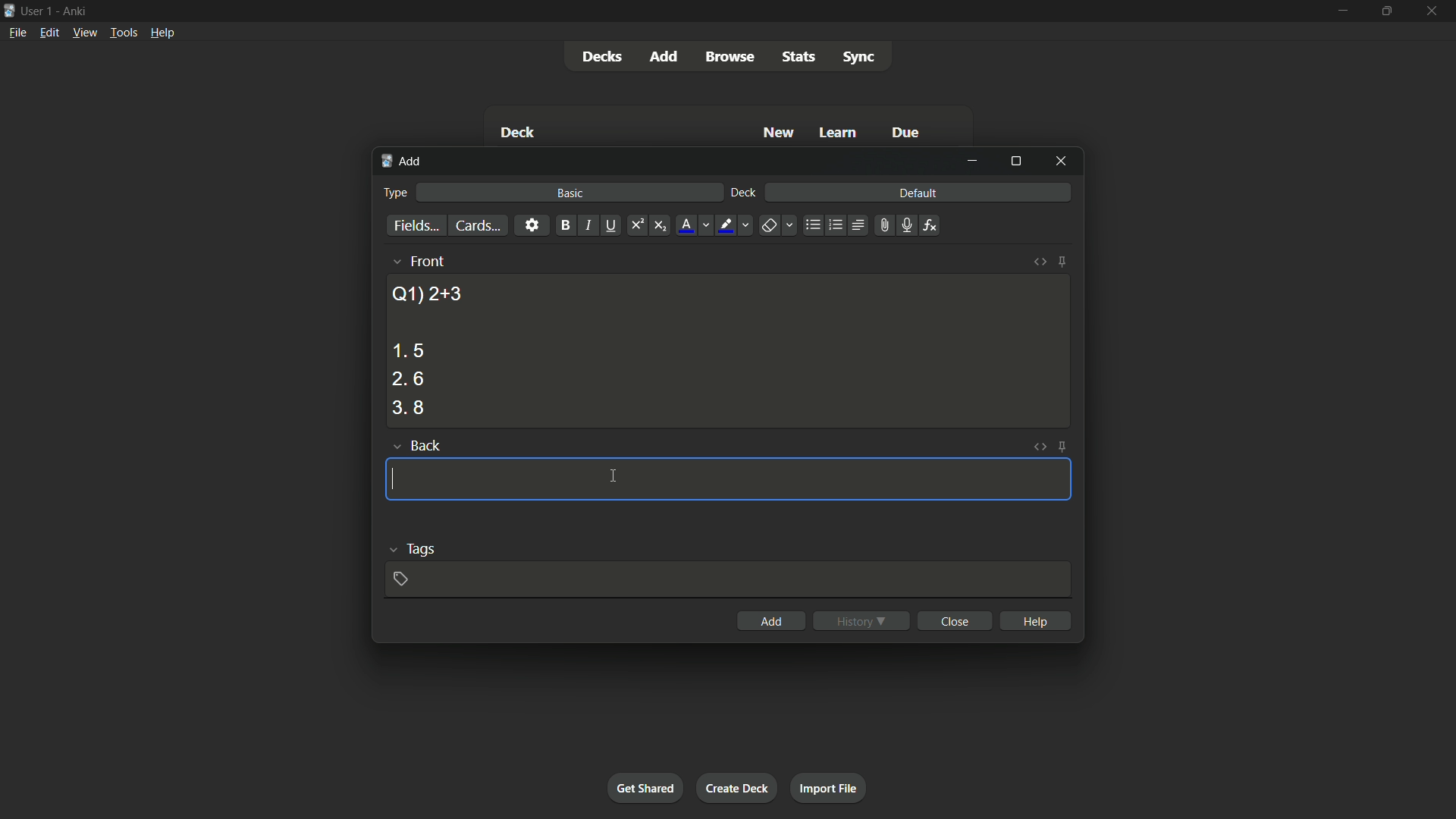  What do you see at coordinates (736, 787) in the screenshot?
I see `create deck` at bounding box center [736, 787].